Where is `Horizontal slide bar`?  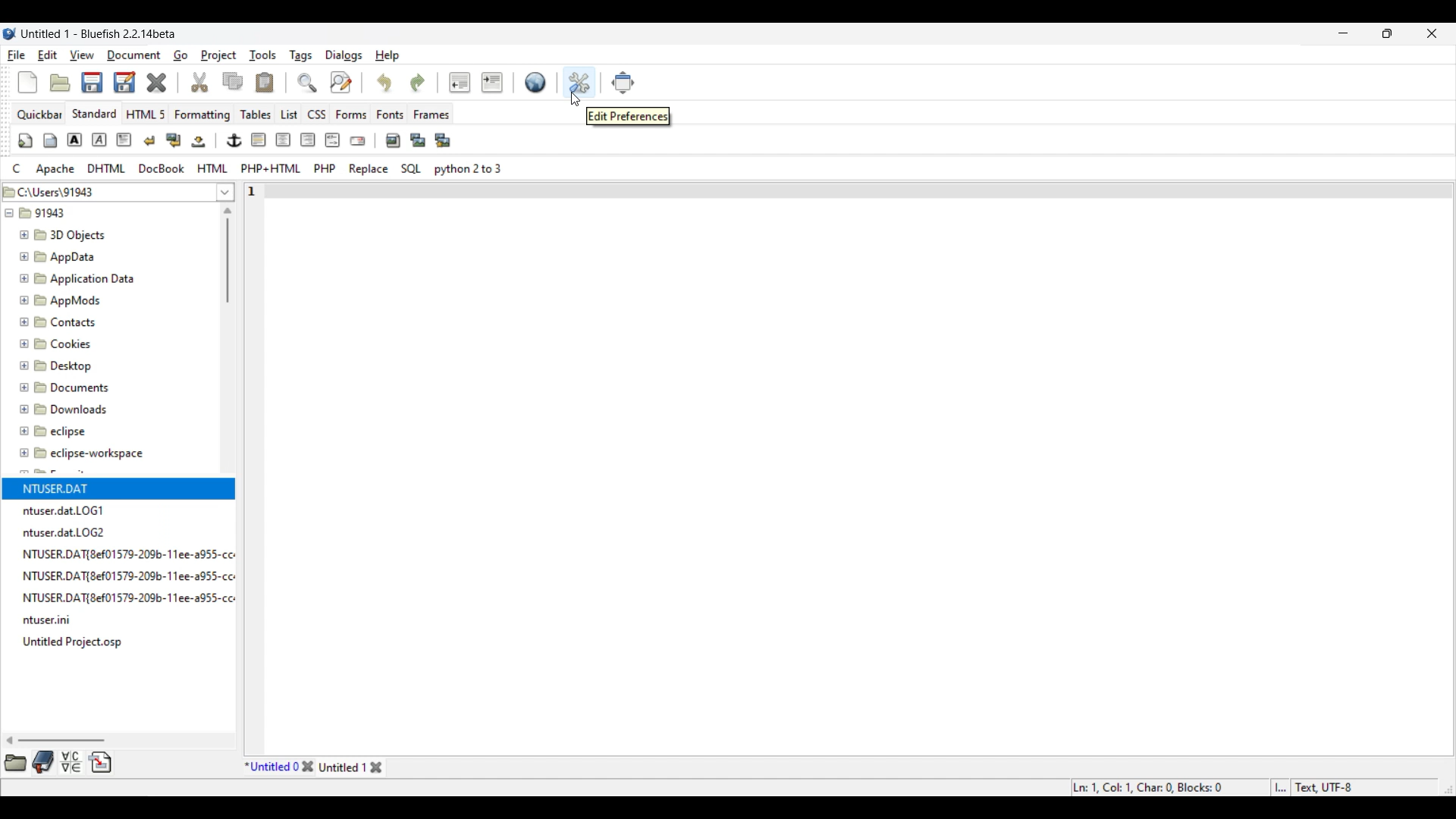 Horizontal slide bar is located at coordinates (56, 740).